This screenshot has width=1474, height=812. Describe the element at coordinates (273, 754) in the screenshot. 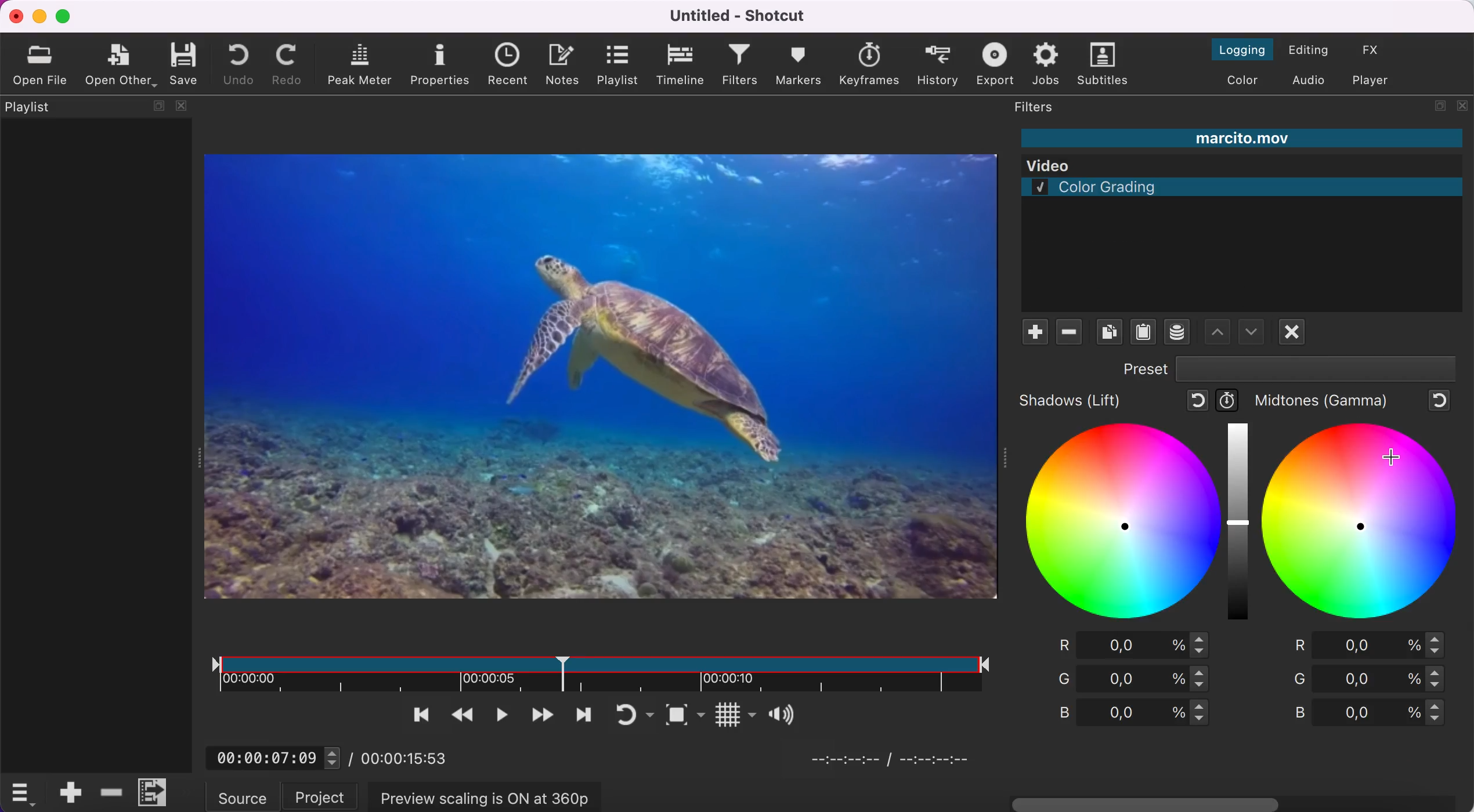

I see `00:00:07:09` at that location.